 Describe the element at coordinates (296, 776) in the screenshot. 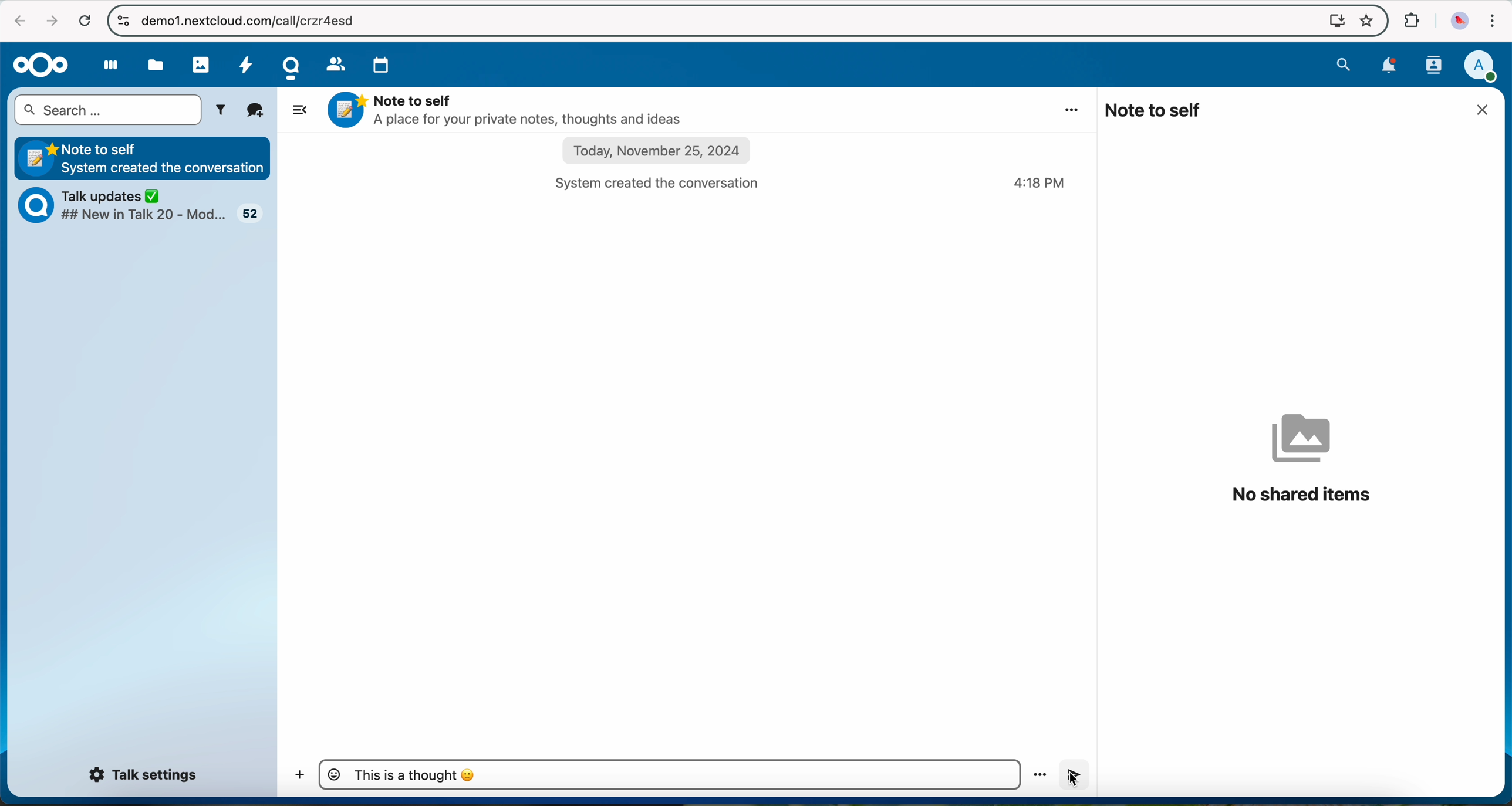

I see `add` at that location.